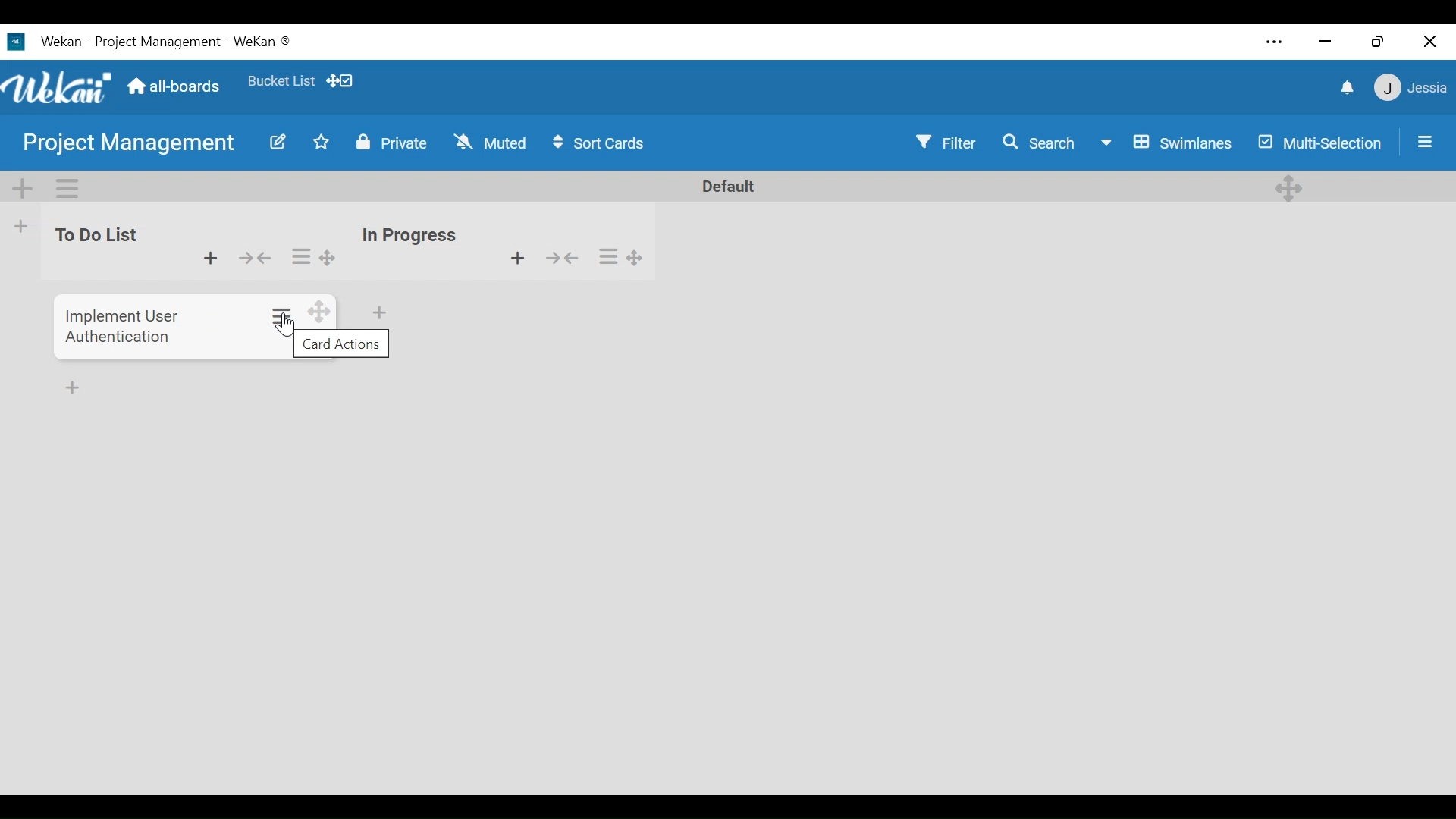 The image size is (1456, 819). Describe the element at coordinates (342, 344) in the screenshot. I see `card actions` at that location.